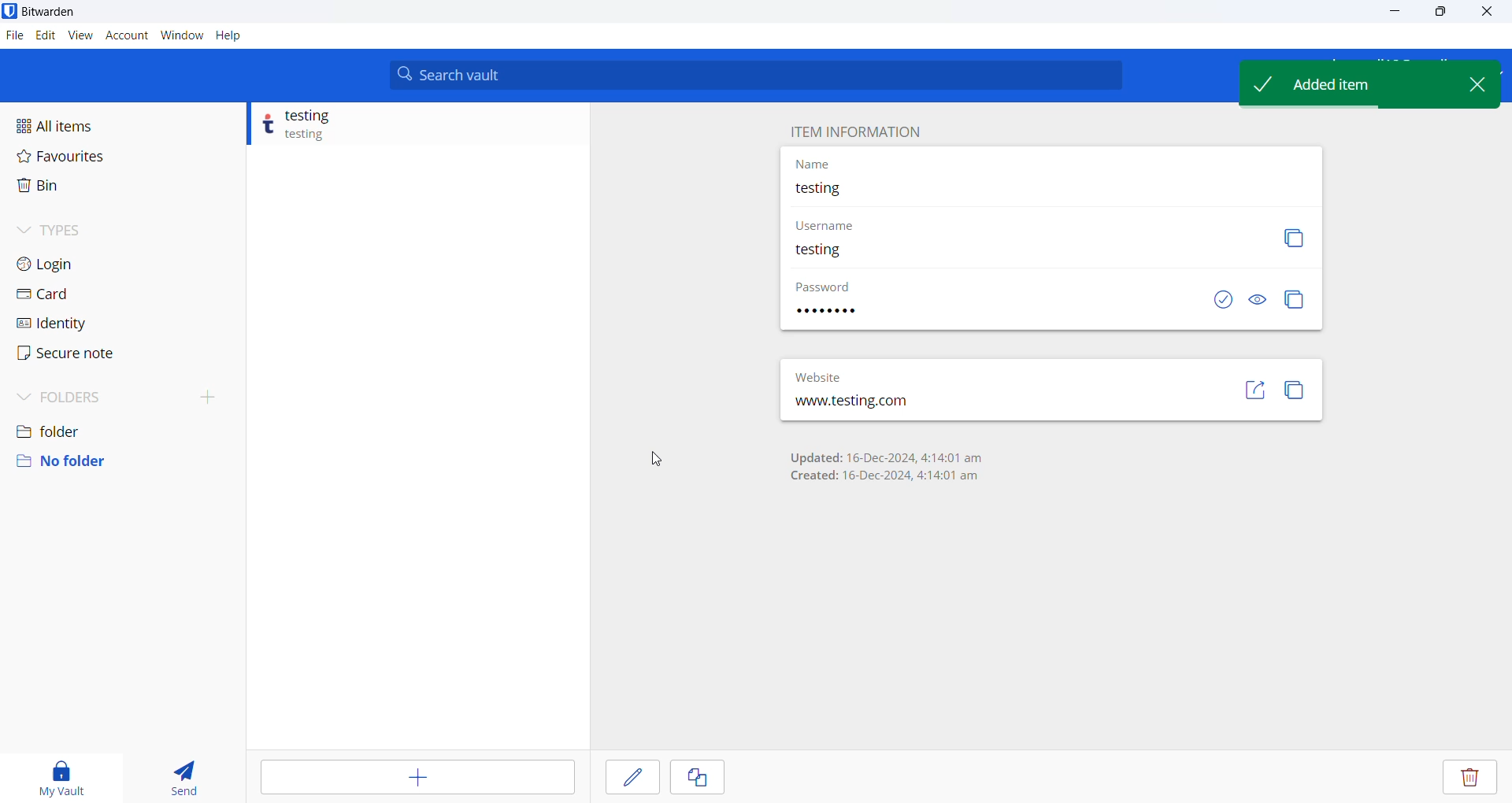  Describe the element at coordinates (91, 123) in the screenshot. I see `all items` at that location.